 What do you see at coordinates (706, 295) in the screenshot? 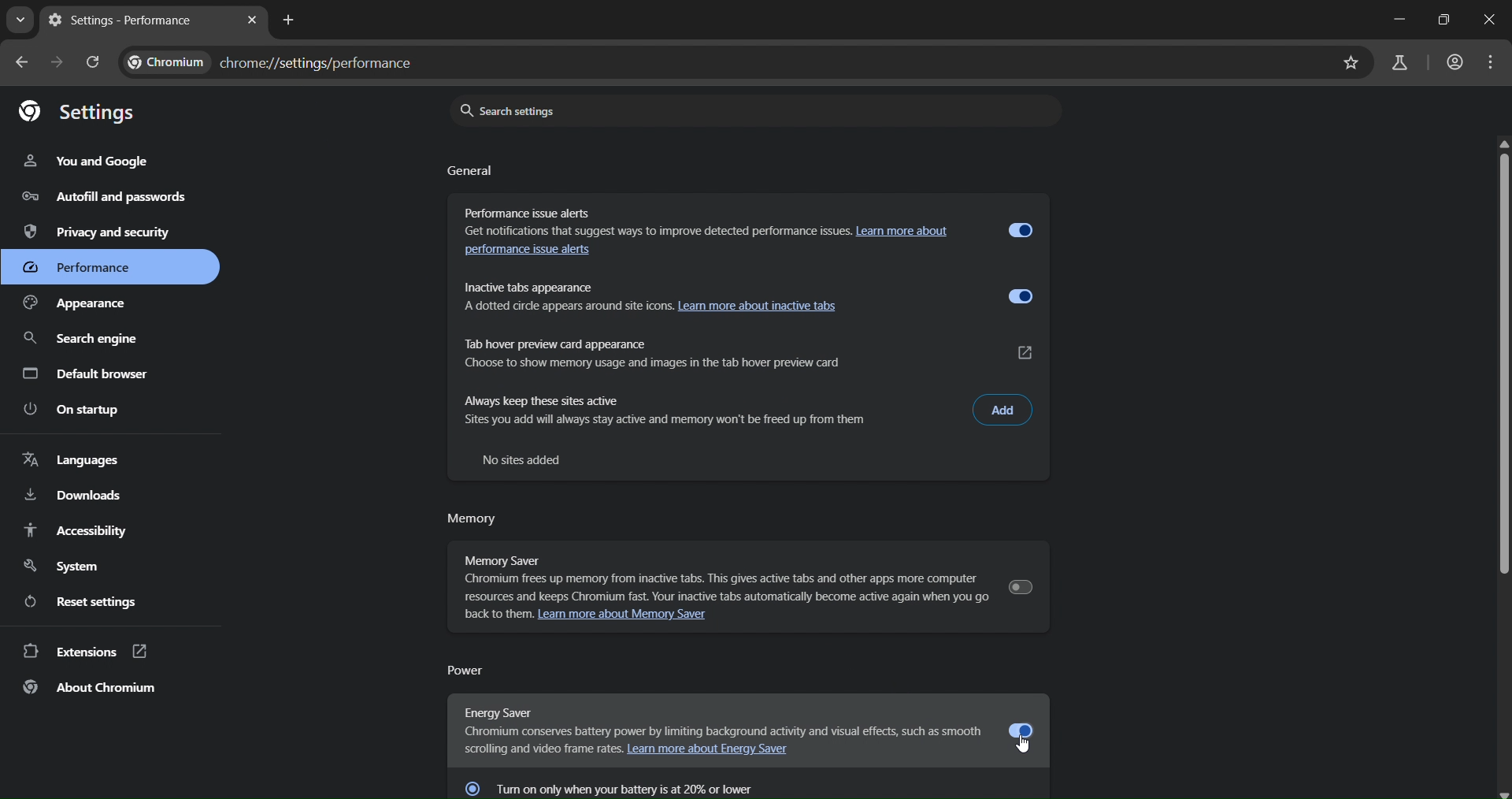
I see `inactive tab appearance` at bounding box center [706, 295].